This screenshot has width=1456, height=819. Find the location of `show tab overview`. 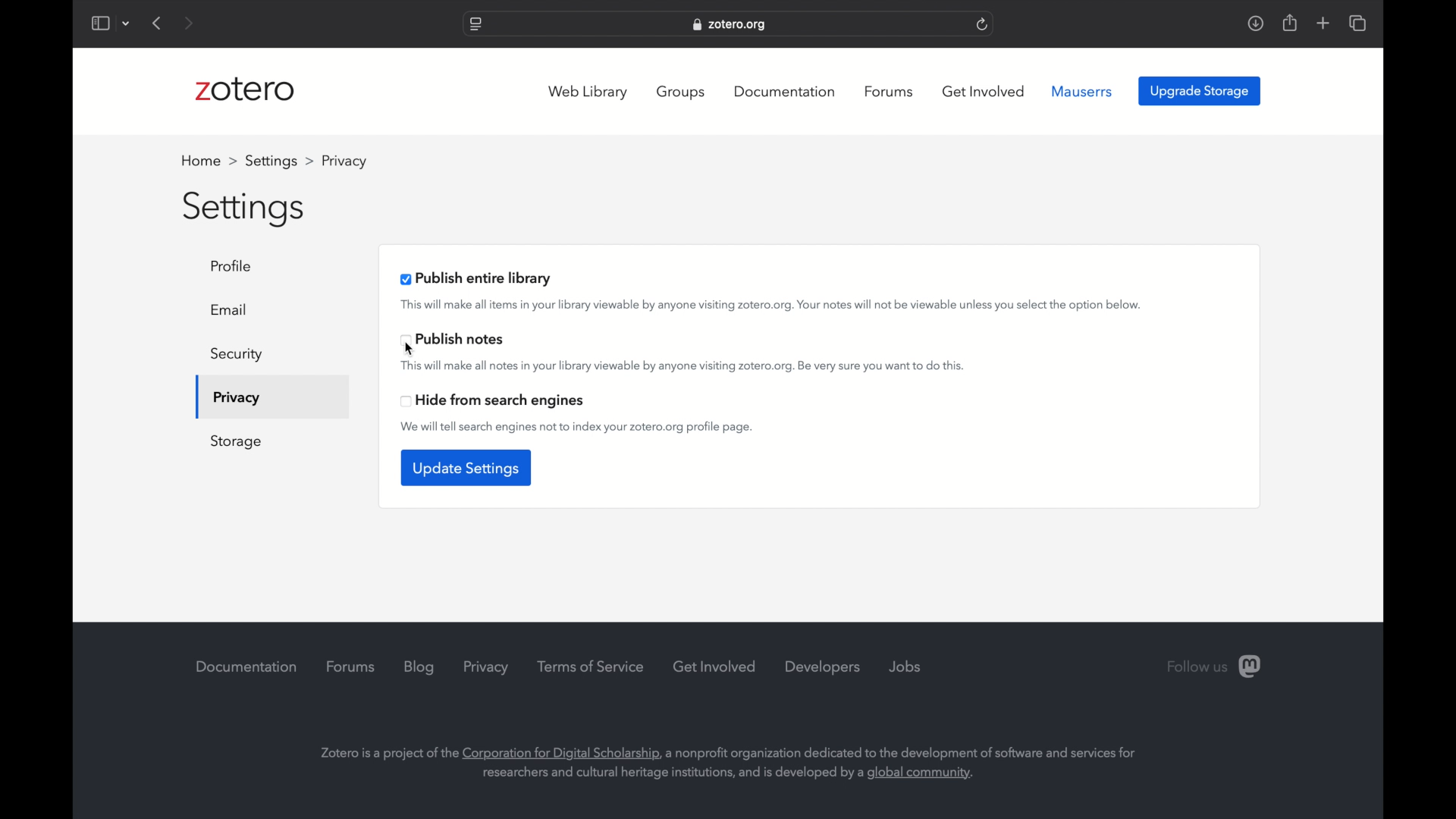

show tab overview is located at coordinates (1357, 23).